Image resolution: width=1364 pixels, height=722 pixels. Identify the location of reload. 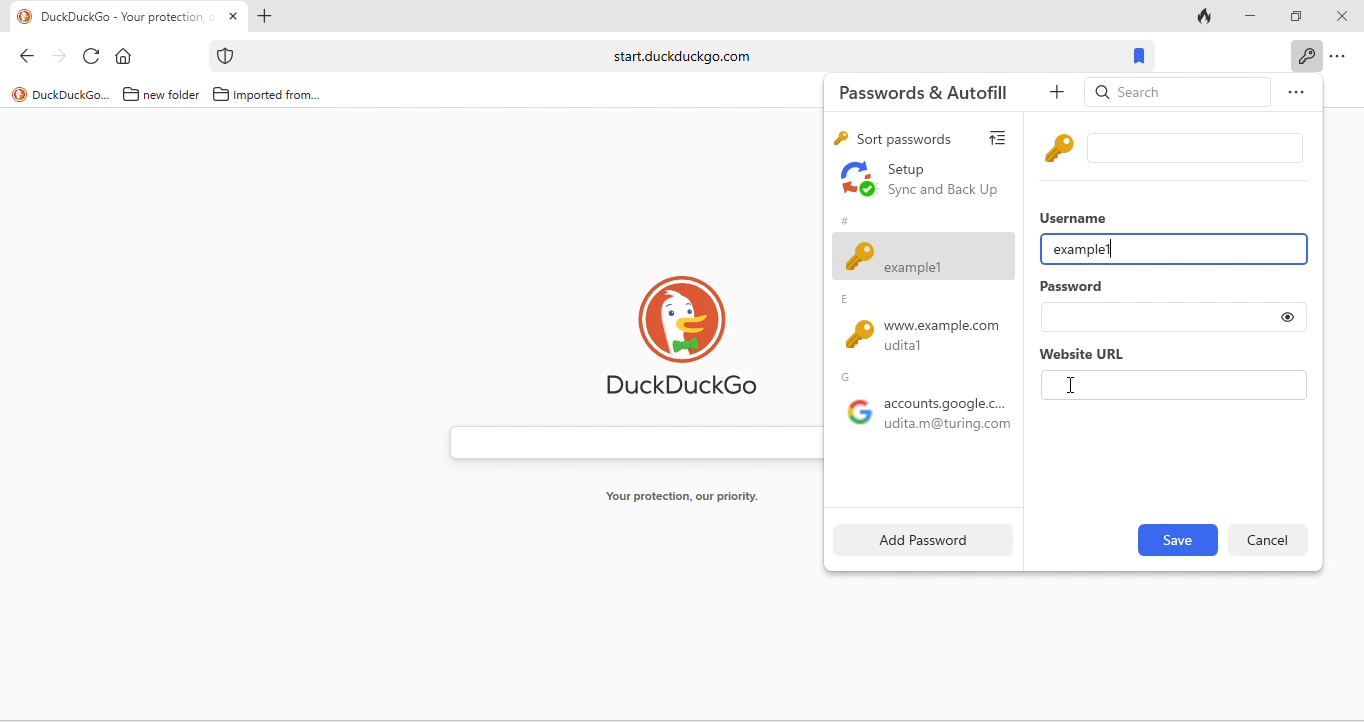
(93, 56).